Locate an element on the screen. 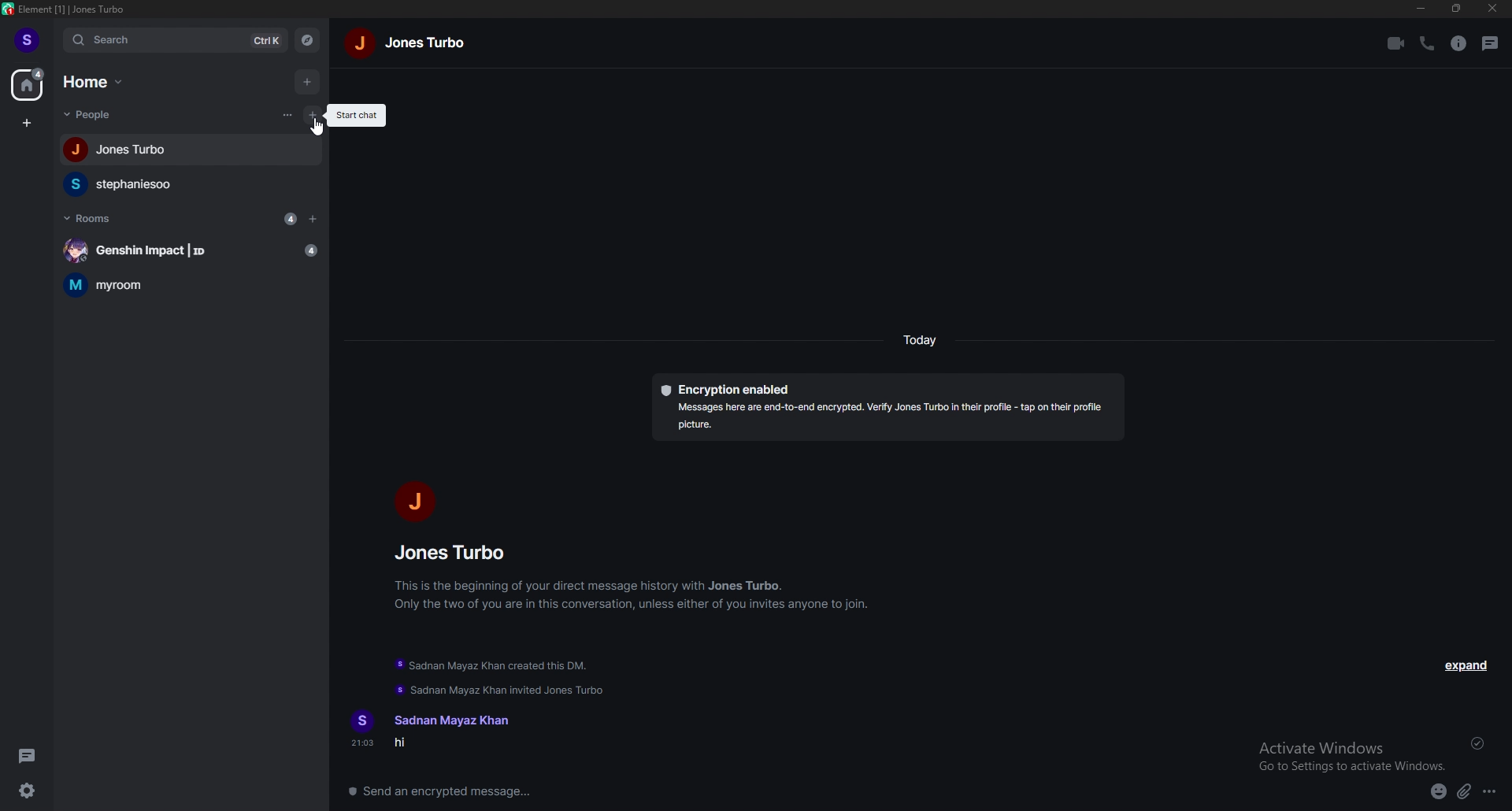 Image resolution: width=1512 pixels, height=811 pixels. emoji is located at coordinates (1438, 792).